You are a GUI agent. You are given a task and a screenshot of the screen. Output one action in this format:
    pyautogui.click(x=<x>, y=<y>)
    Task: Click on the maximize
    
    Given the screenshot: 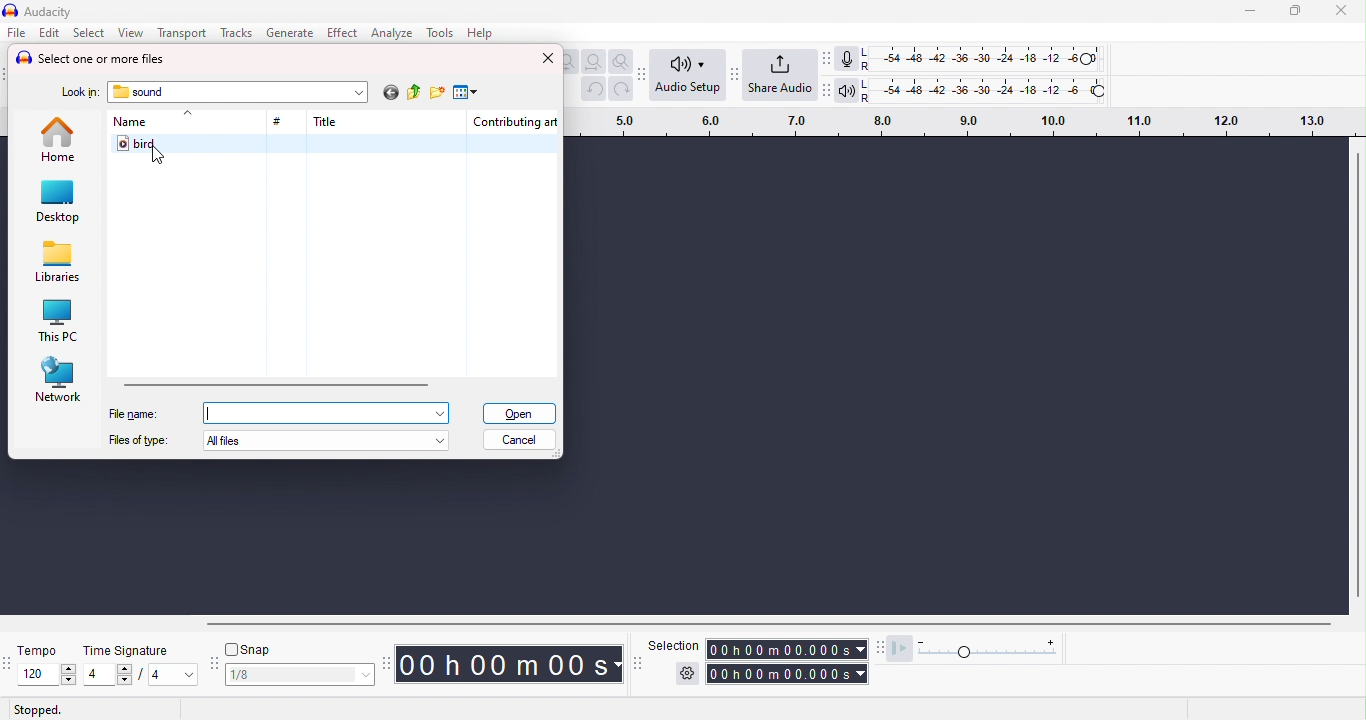 What is the action you would take?
    pyautogui.click(x=1295, y=11)
    